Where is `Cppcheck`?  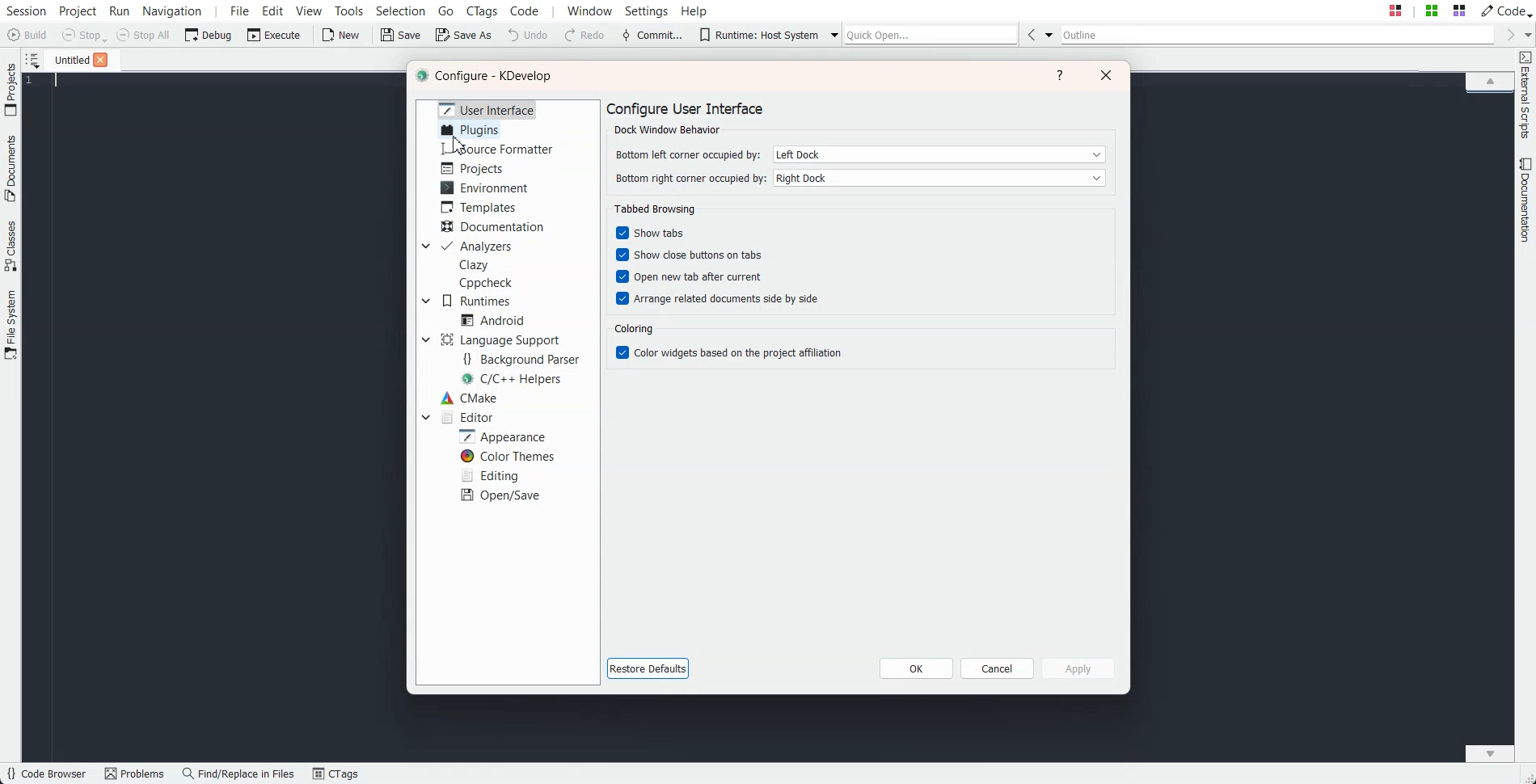 Cppcheck is located at coordinates (488, 283).